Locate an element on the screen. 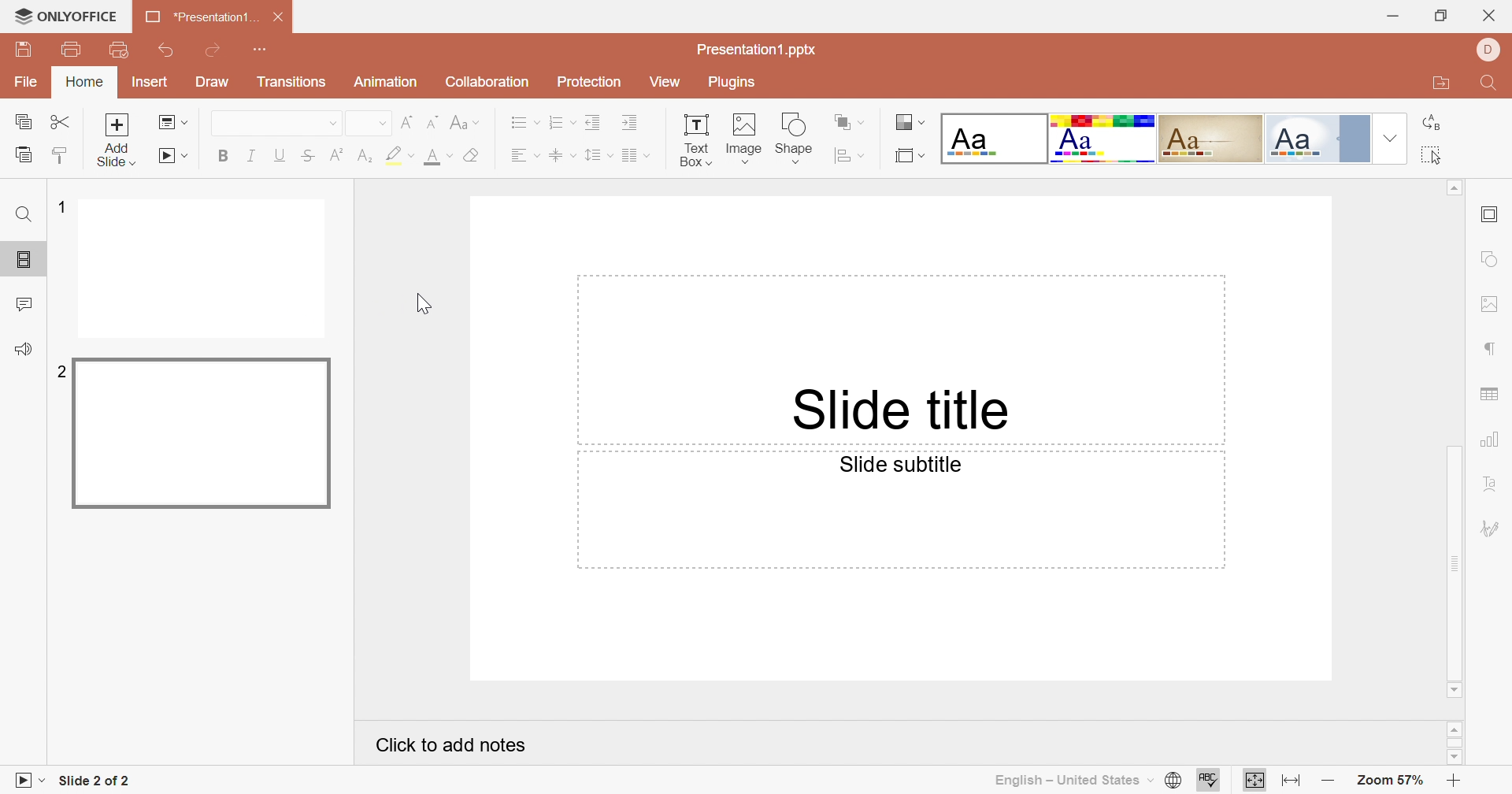  Plugins is located at coordinates (735, 80).